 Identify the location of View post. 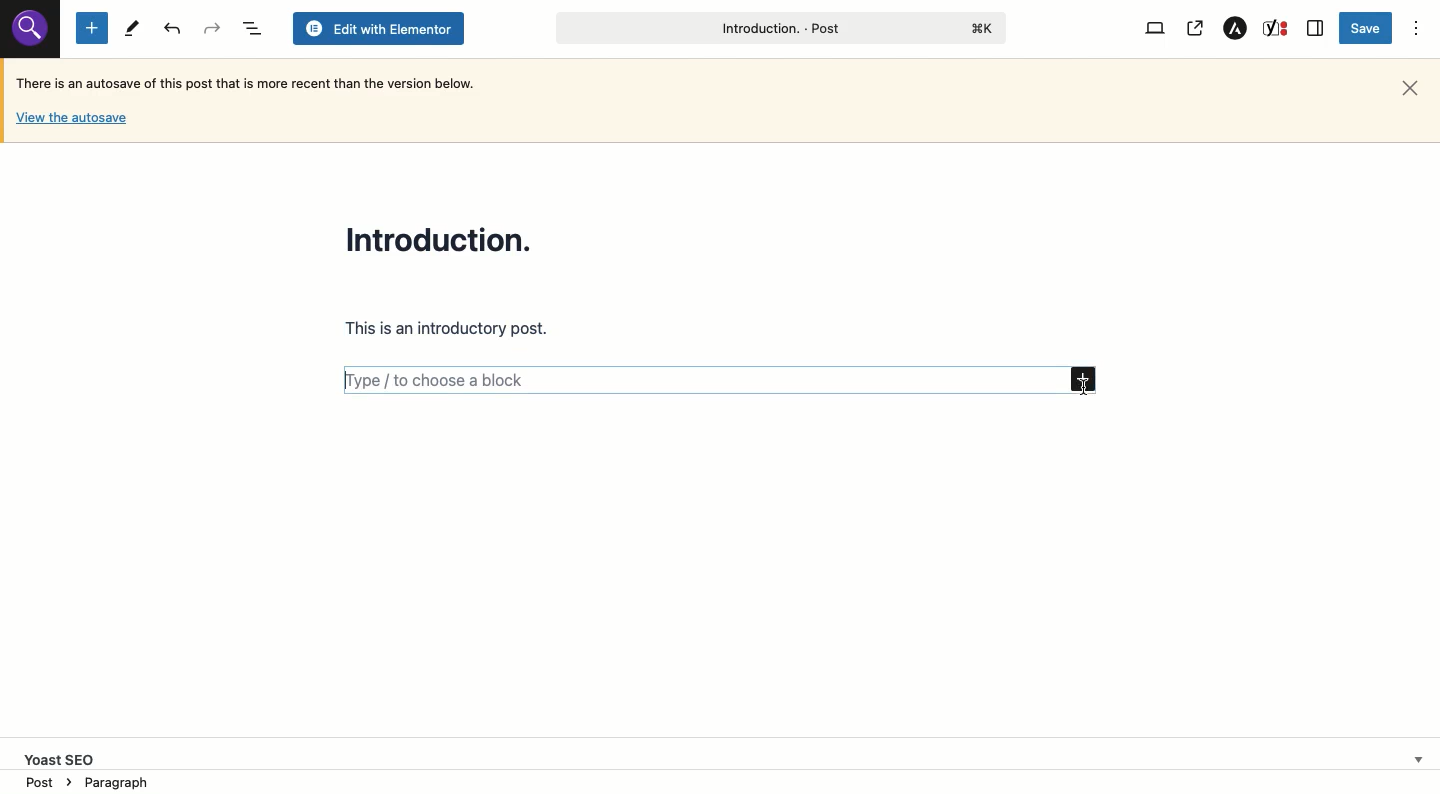
(1194, 29).